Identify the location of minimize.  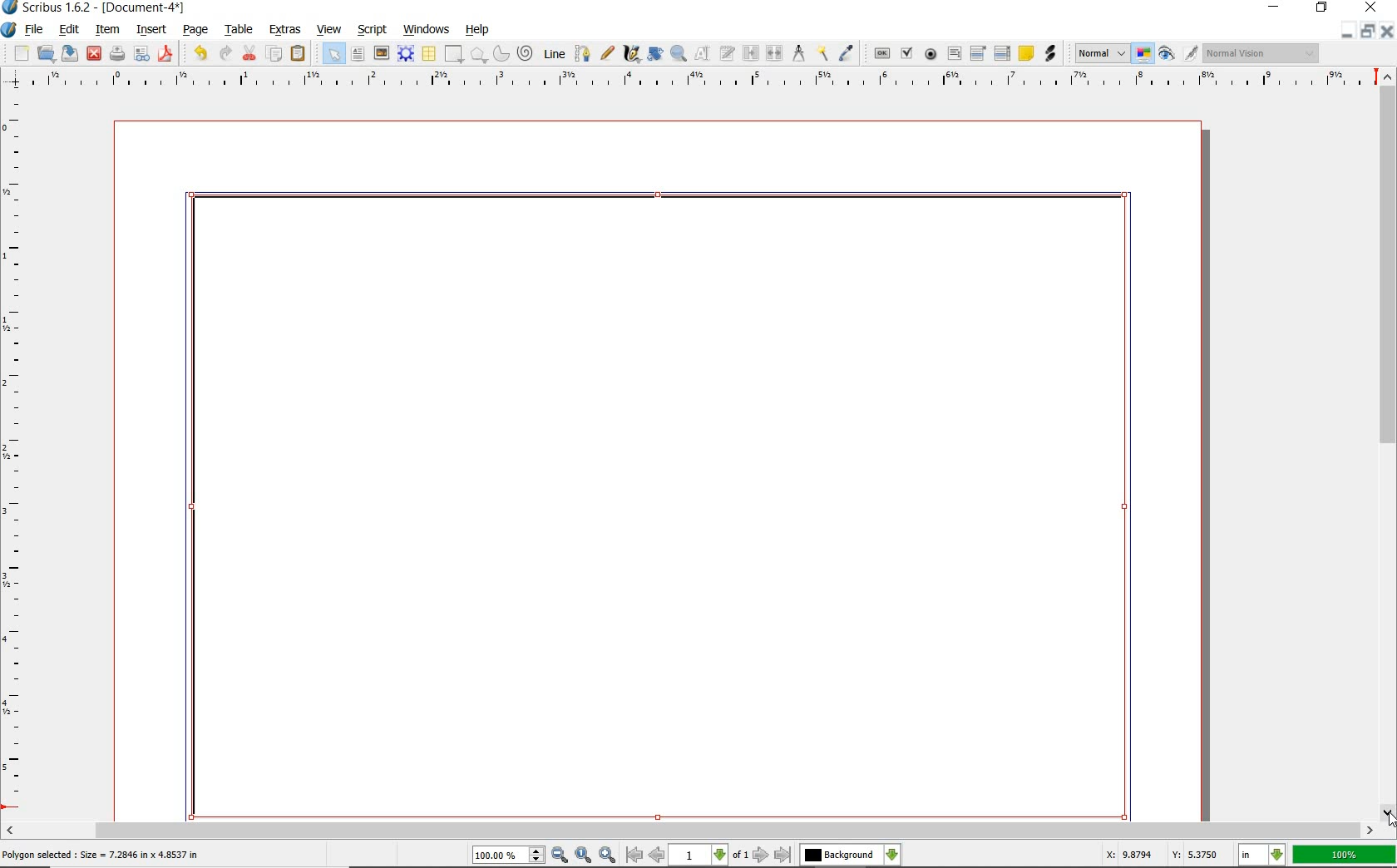
(1350, 32).